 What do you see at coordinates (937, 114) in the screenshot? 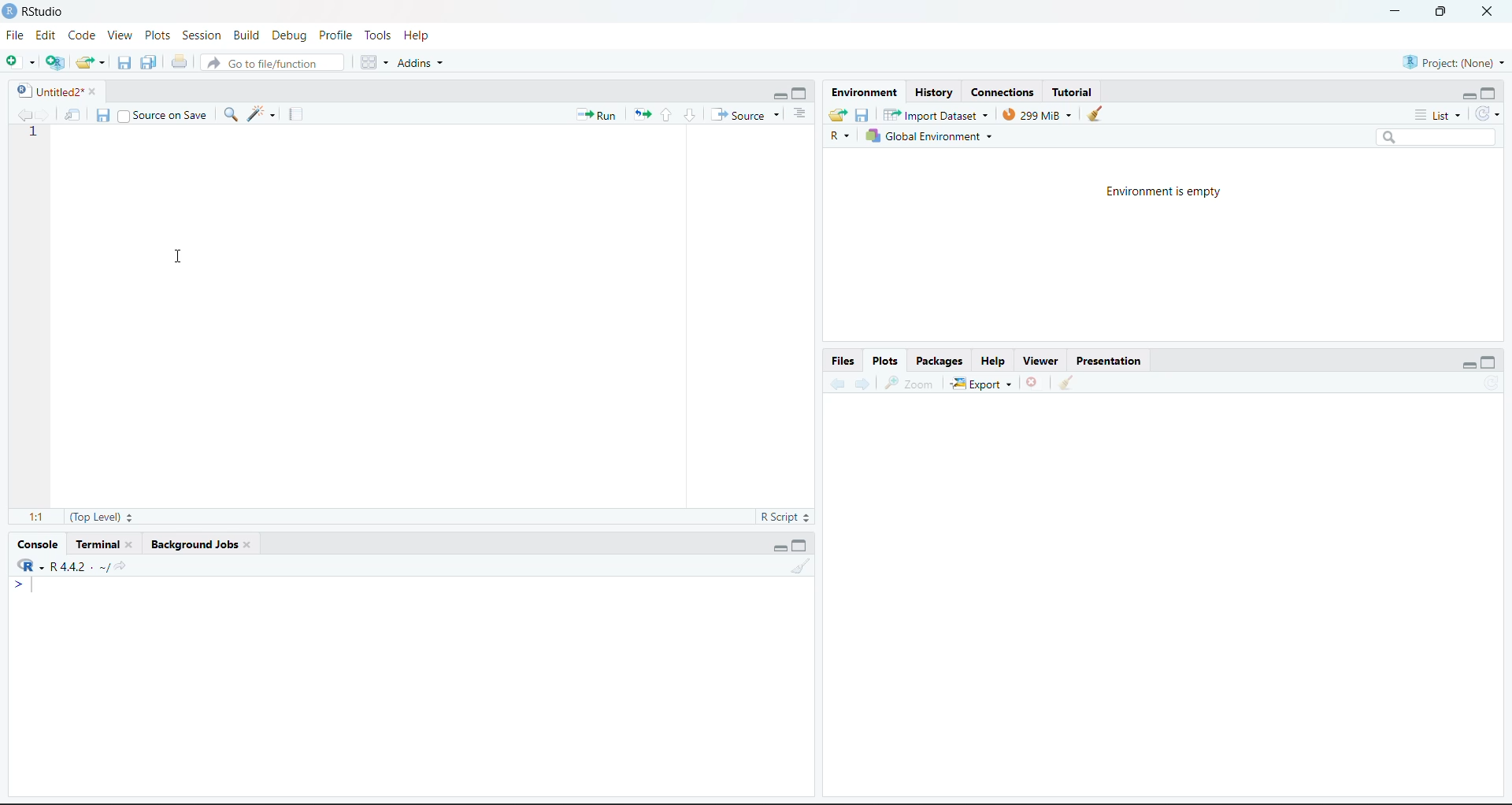
I see `Import dataset` at bounding box center [937, 114].